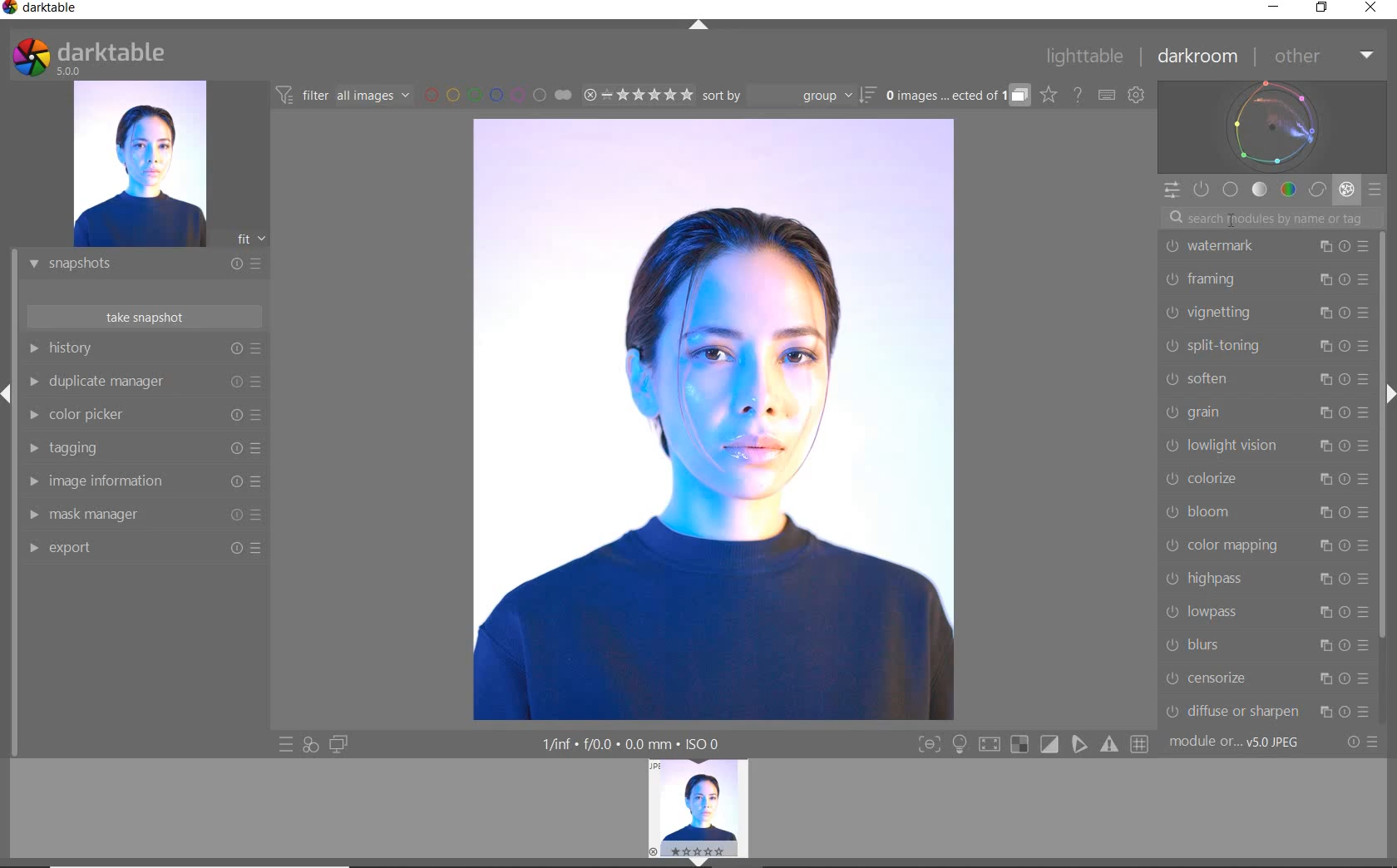 This screenshot has width=1397, height=868. What do you see at coordinates (43, 11) in the screenshot?
I see `SYSTEM NAME` at bounding box center [43, 11].